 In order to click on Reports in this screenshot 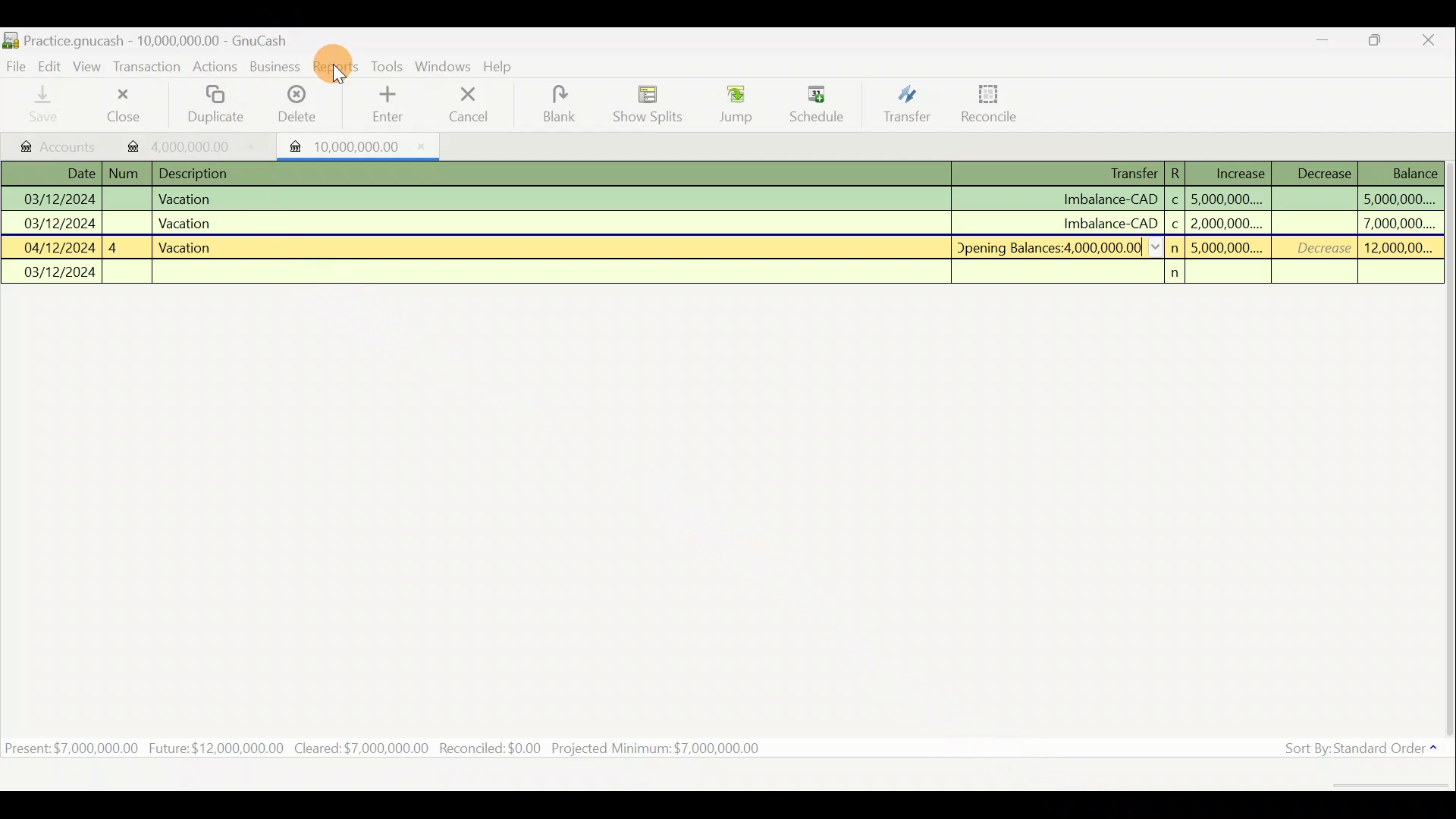, I will do `click(337, 68)`.